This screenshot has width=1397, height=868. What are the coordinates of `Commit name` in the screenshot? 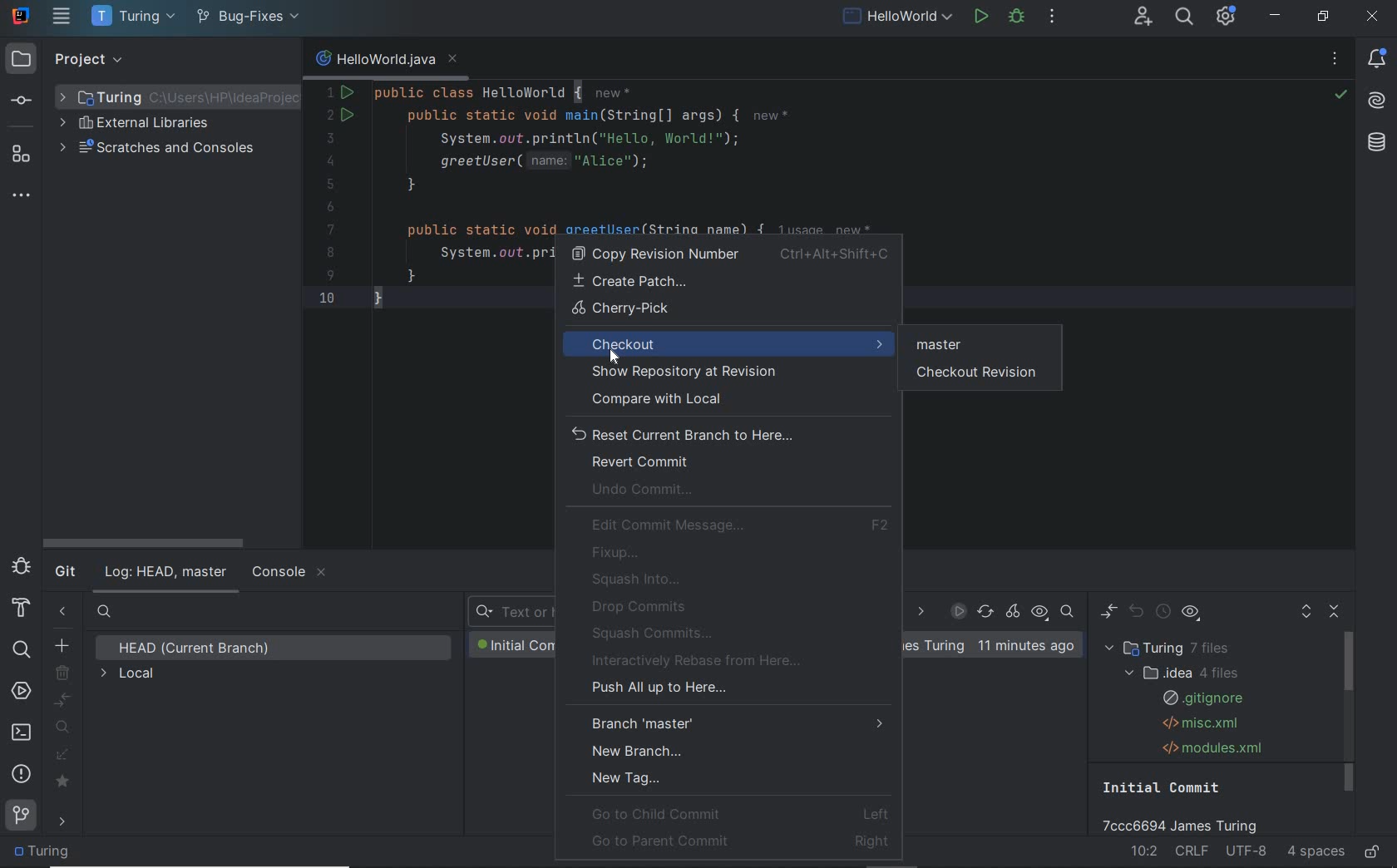 It's located at (1188, 806).